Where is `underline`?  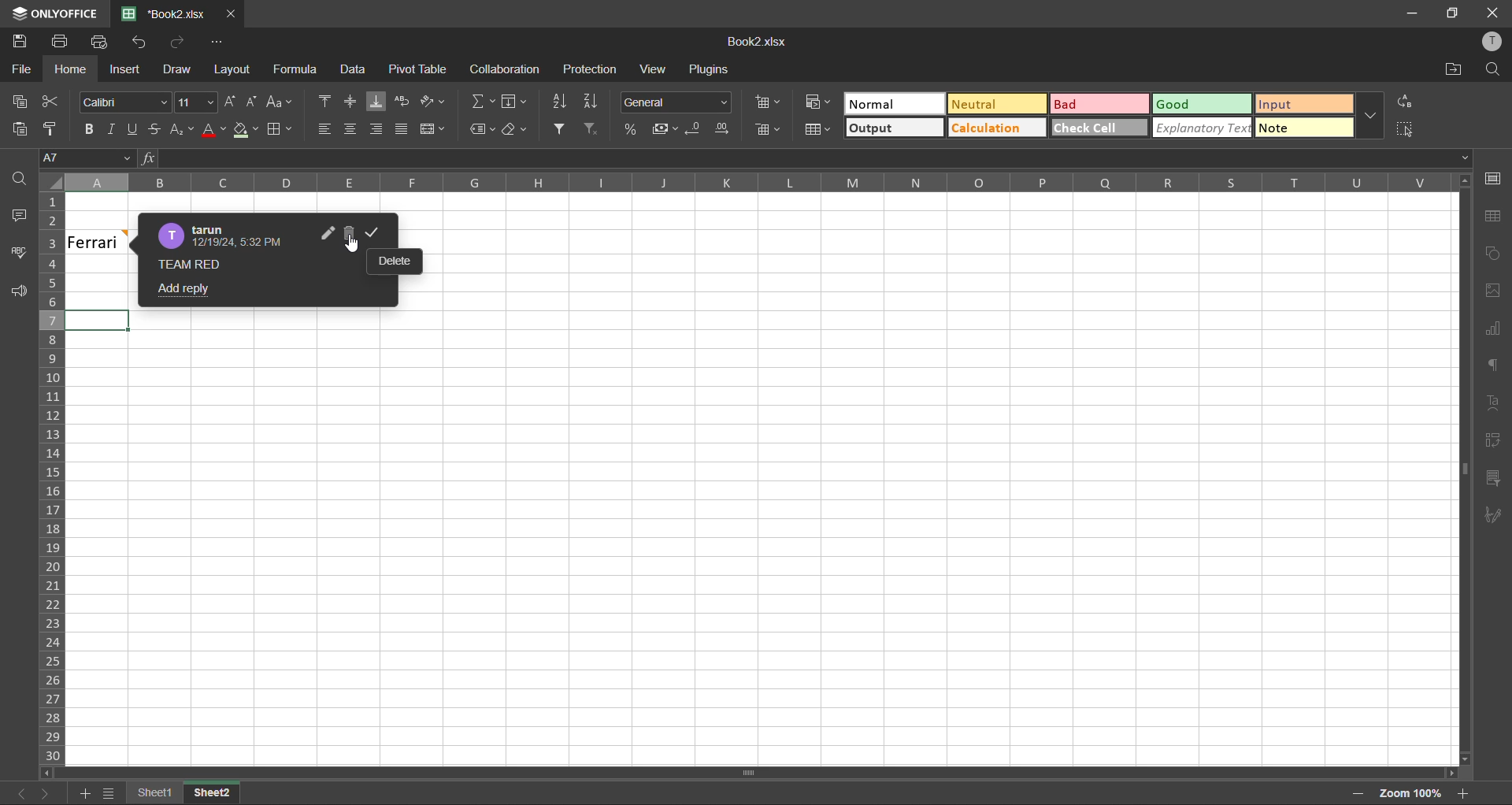
underline is located at coordinates (133, 129).